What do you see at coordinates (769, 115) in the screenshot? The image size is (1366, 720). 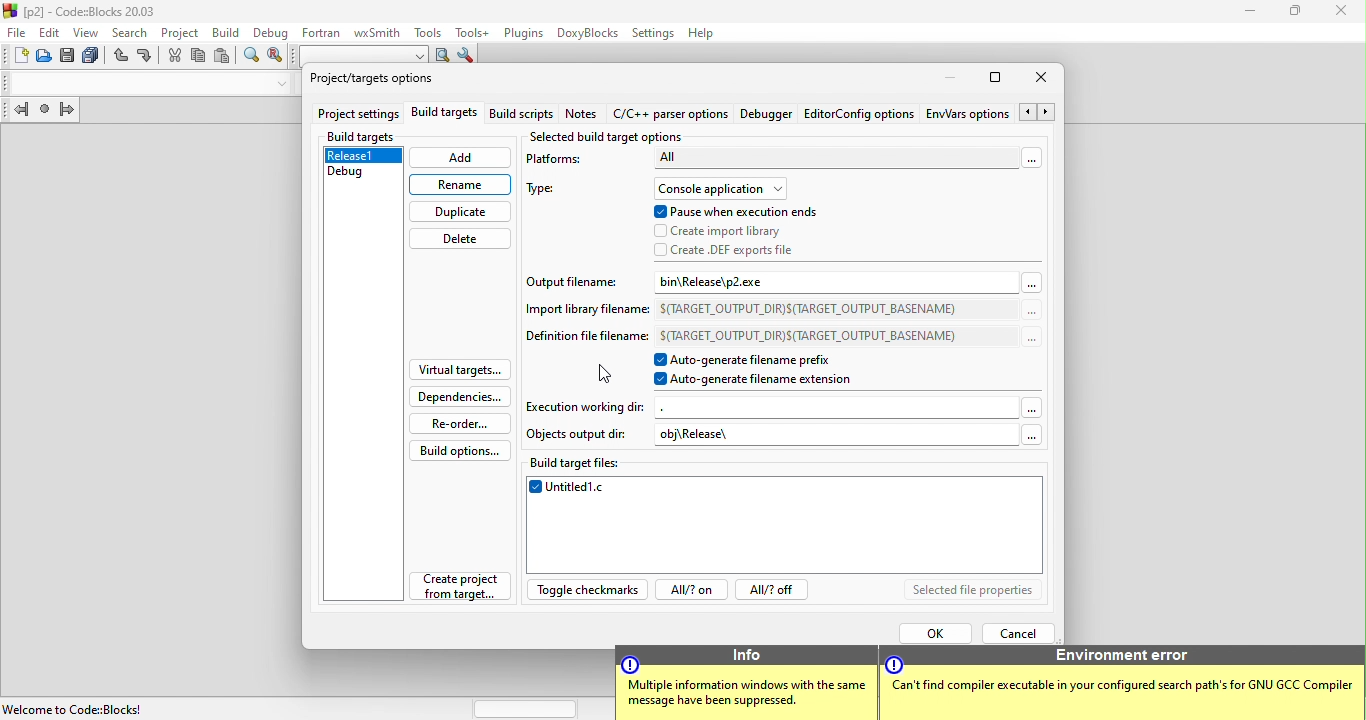 I see `debugger` at bounding box center [769, 115].